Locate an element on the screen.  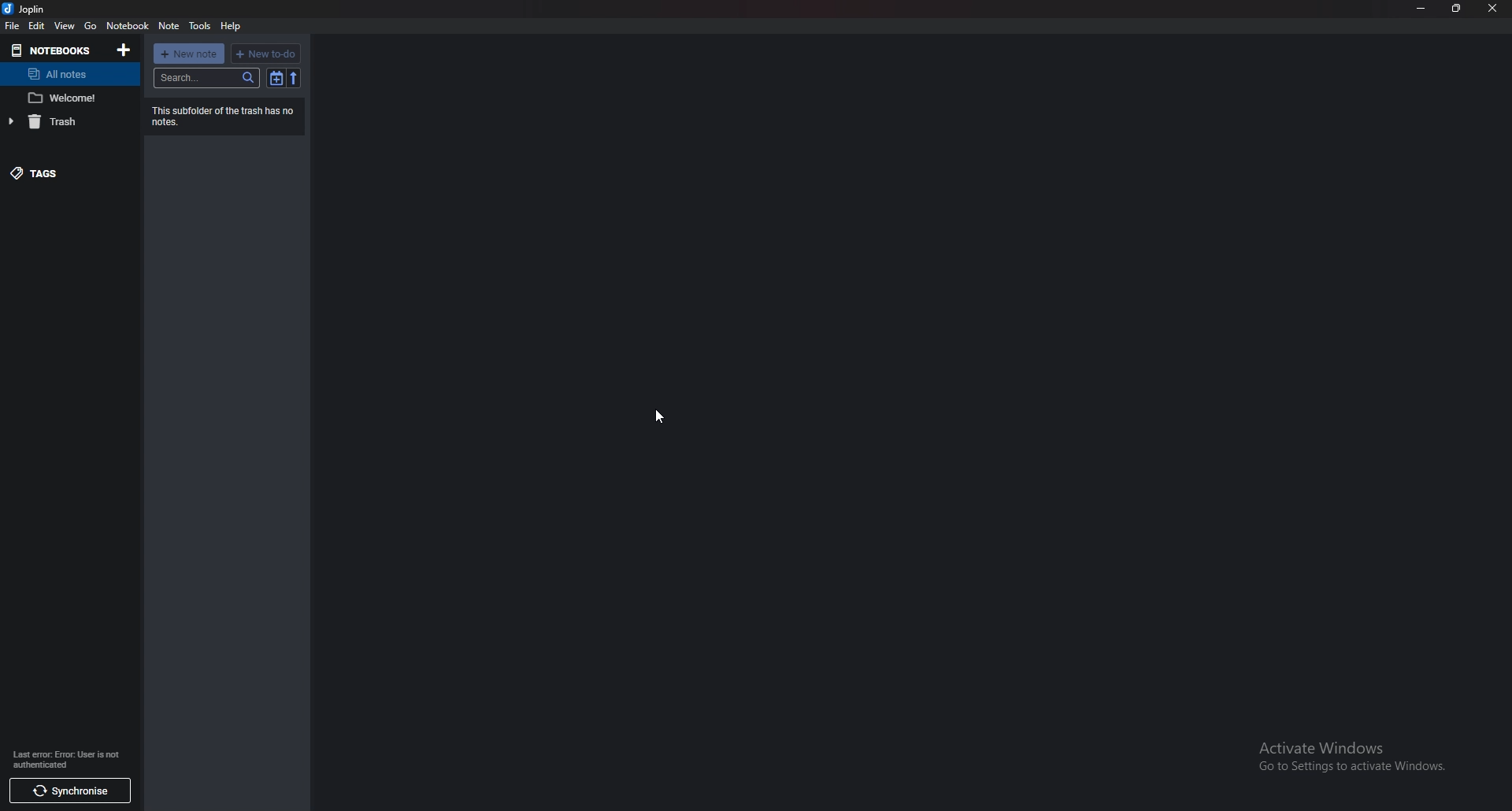
Note is located at coordinates (169, 26).